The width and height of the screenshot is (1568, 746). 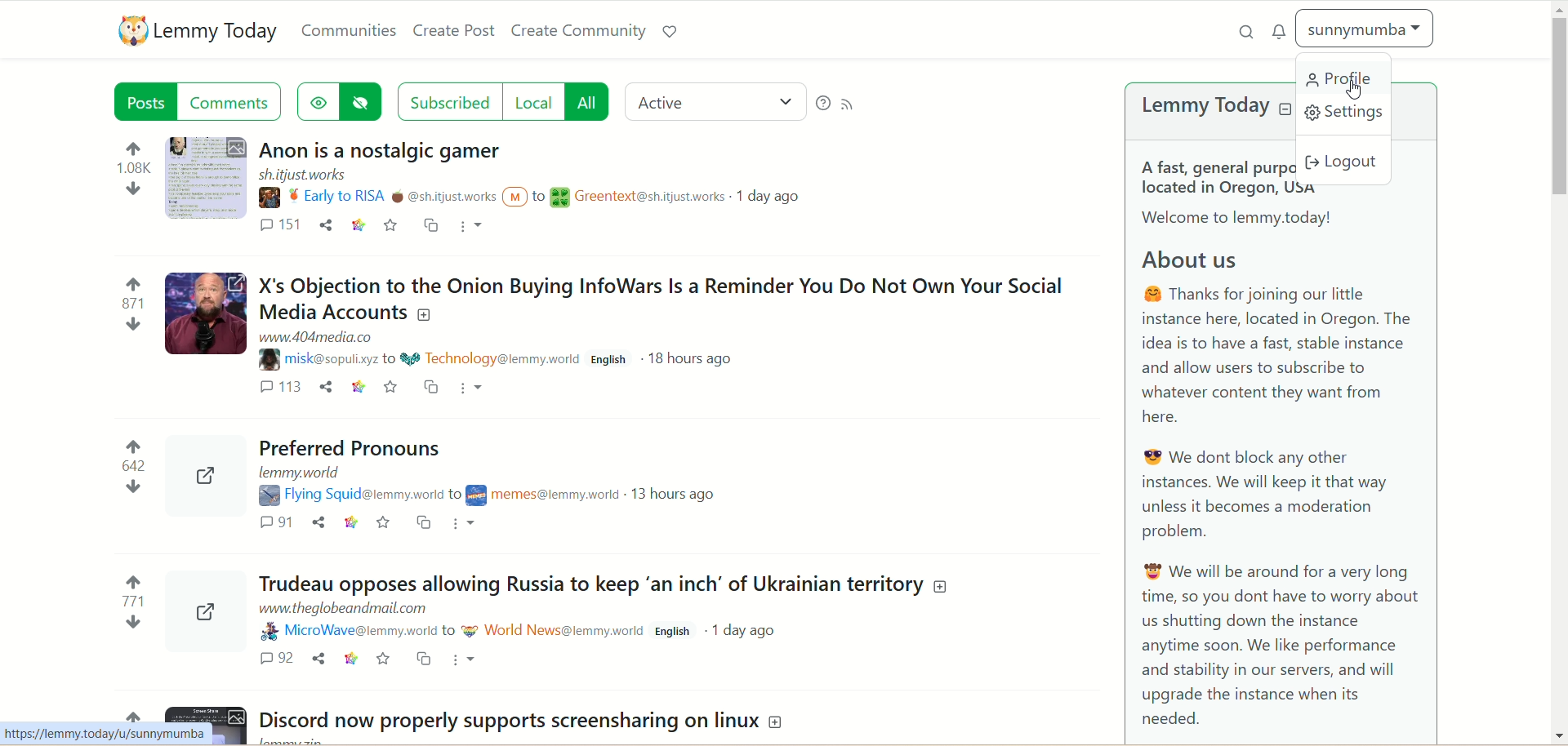 What do you see at coordinates (535, 102) in the screenshot?
I see `local` at bounding box center [535, 102].